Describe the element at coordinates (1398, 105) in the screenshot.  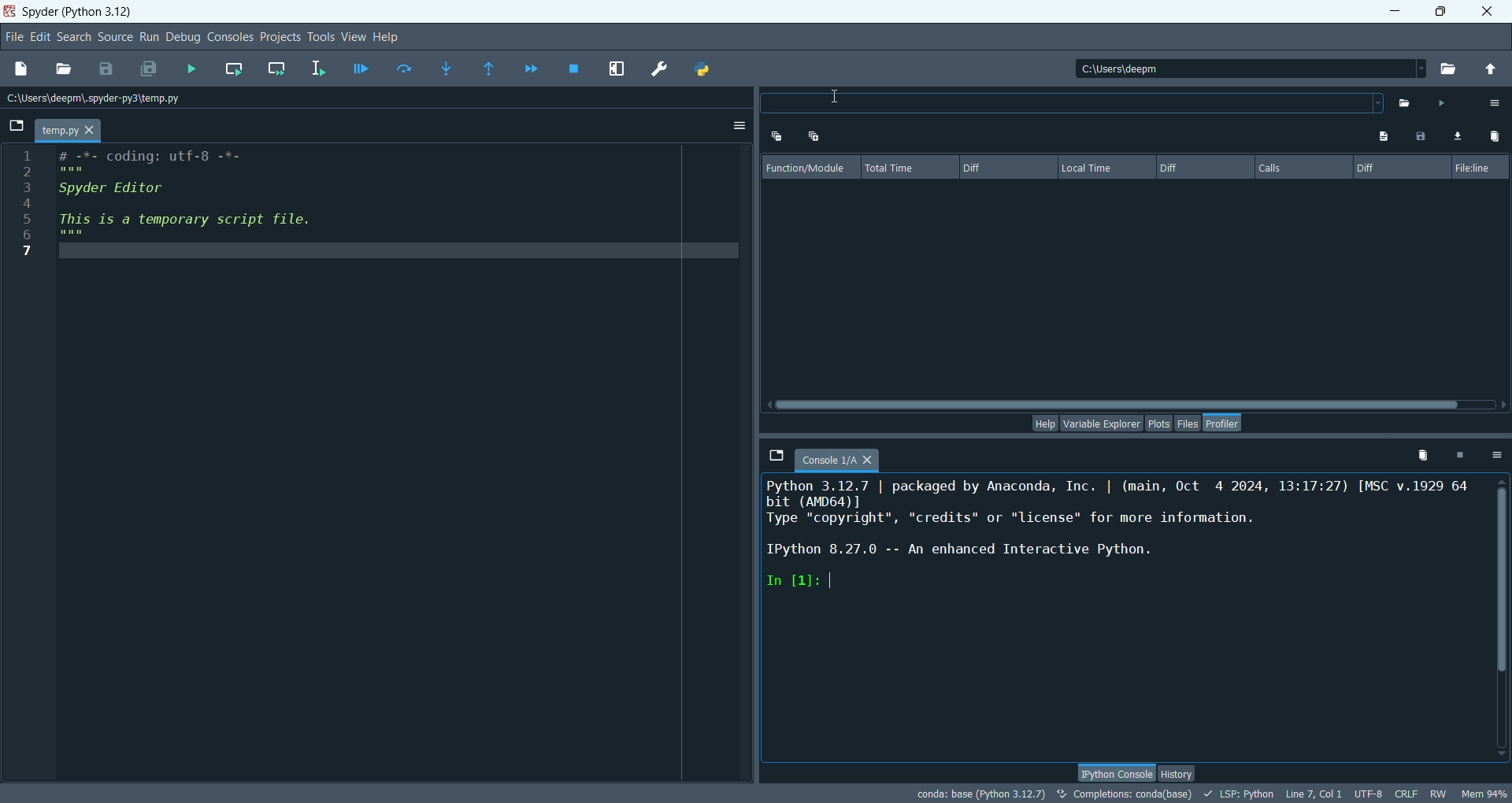
I see `select file` at that location.